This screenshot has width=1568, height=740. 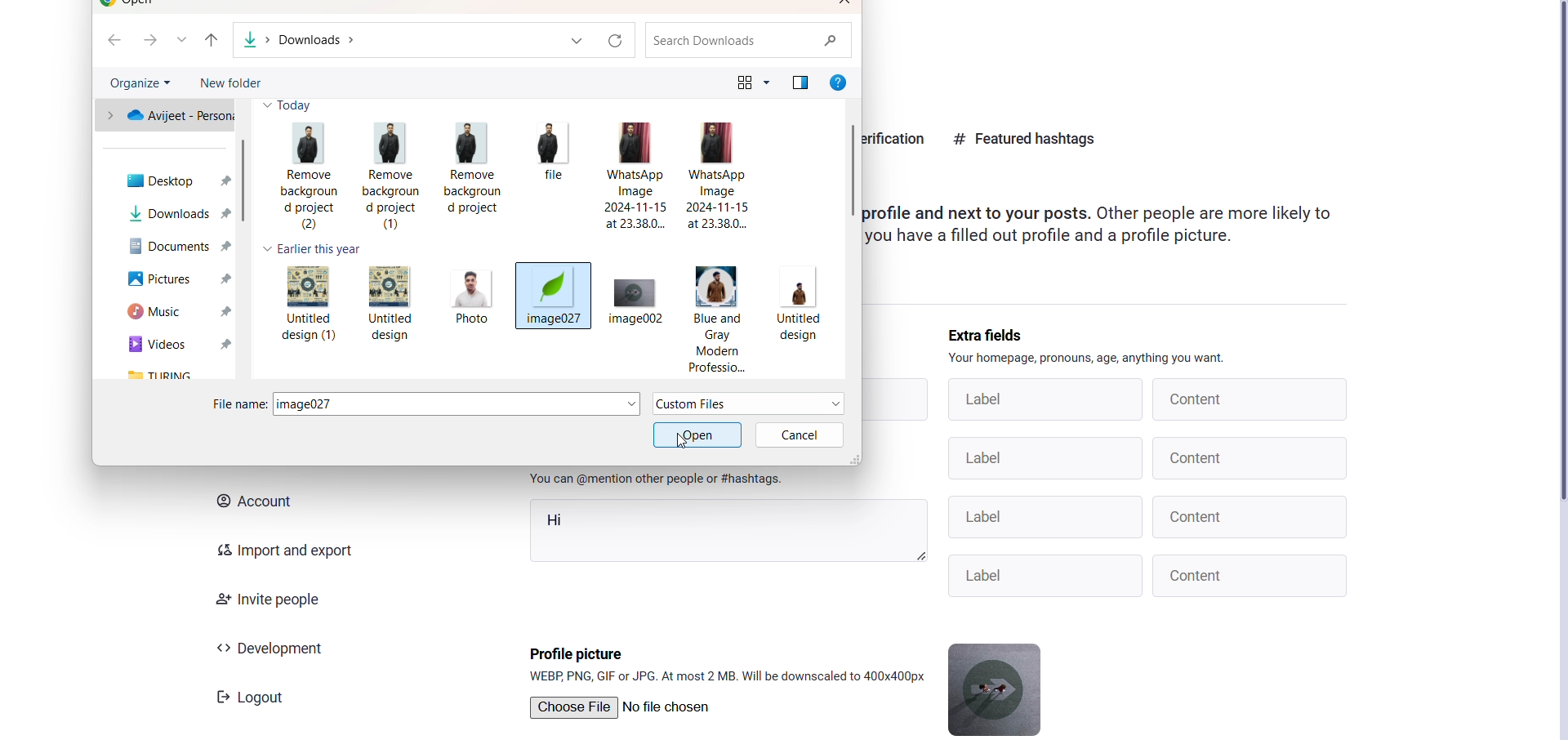 What do you see at coordinates (1251, 457) in the screenshot?
I see `Content` at bounding box center [1251, 457].